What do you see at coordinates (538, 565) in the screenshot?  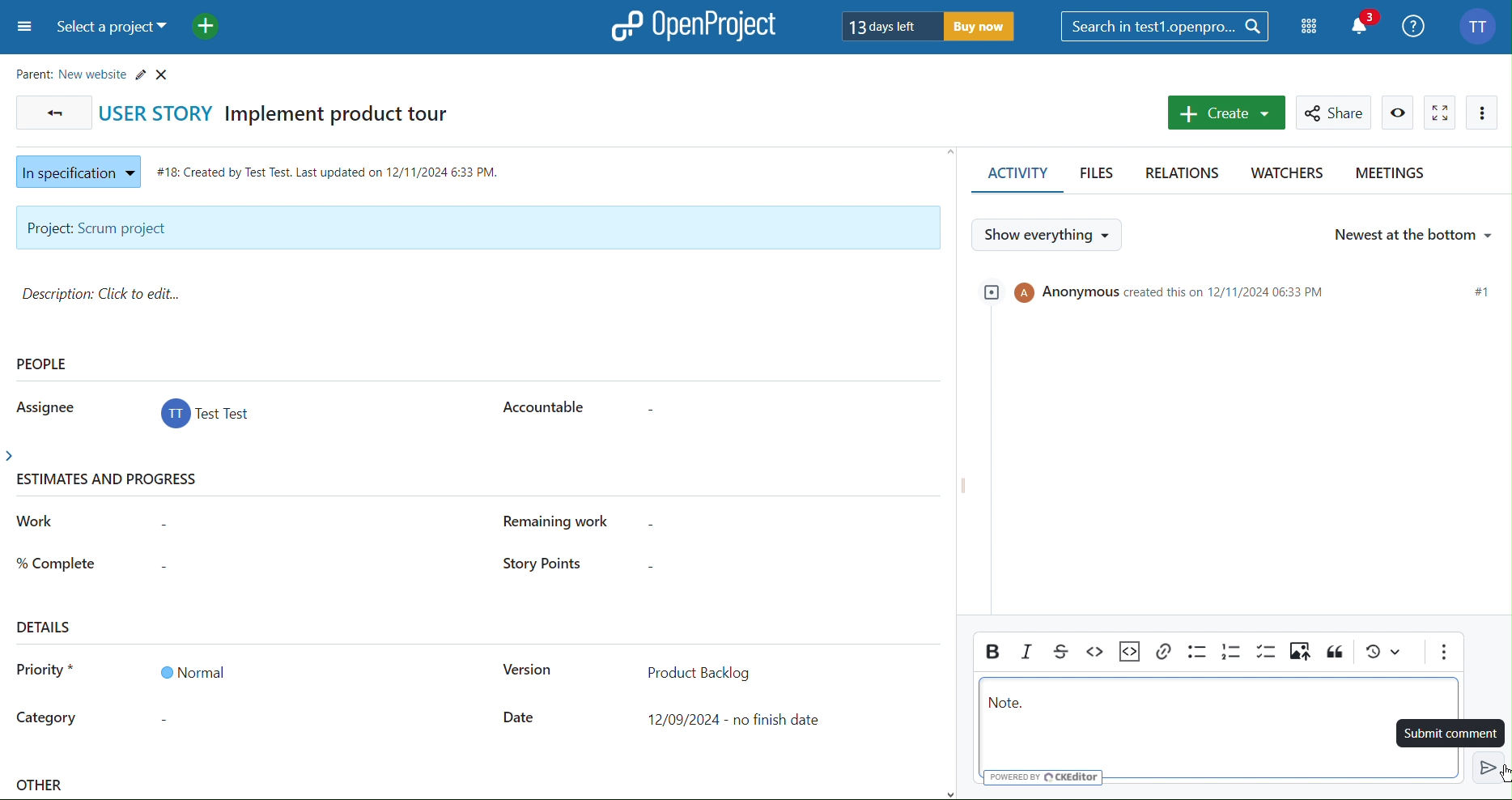 I see `Story Points` at bounding box center [538, 565].